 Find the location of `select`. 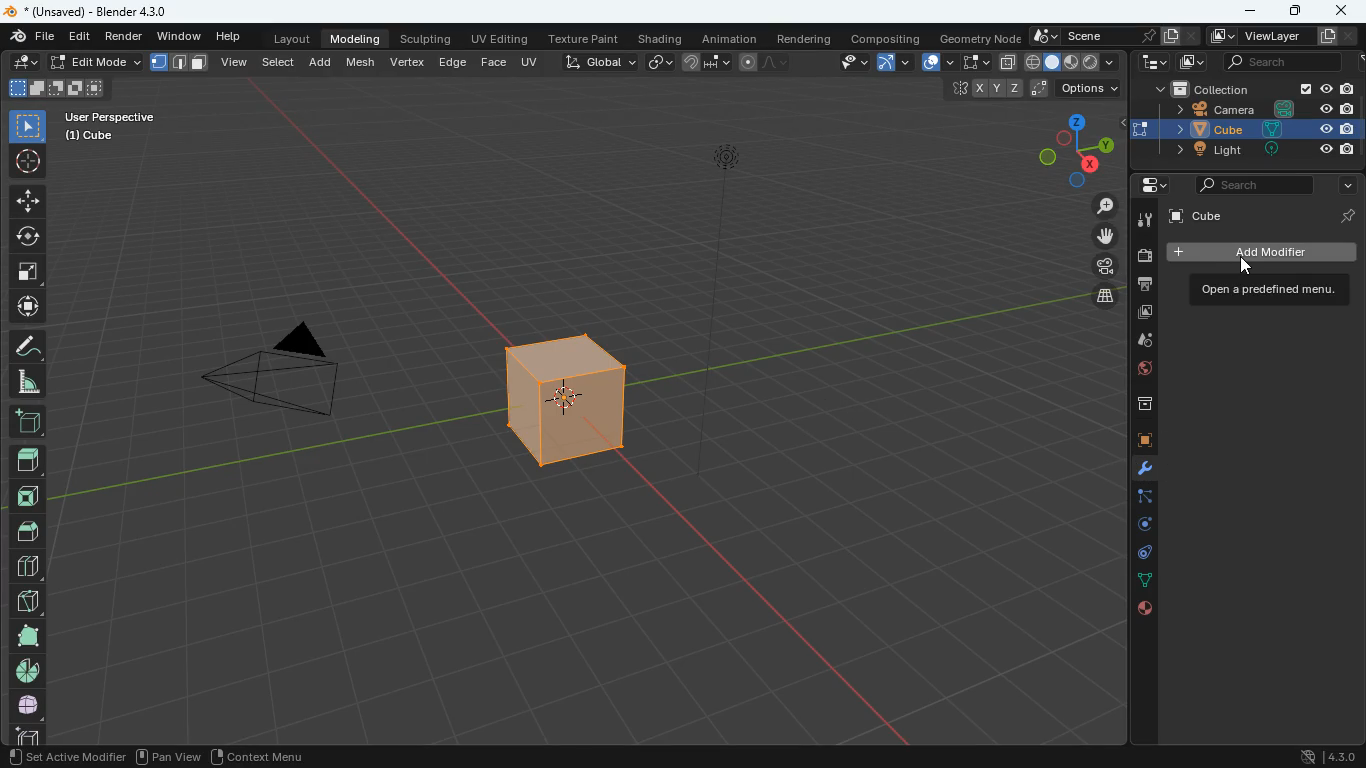

select is located at coordinates (282, 61).